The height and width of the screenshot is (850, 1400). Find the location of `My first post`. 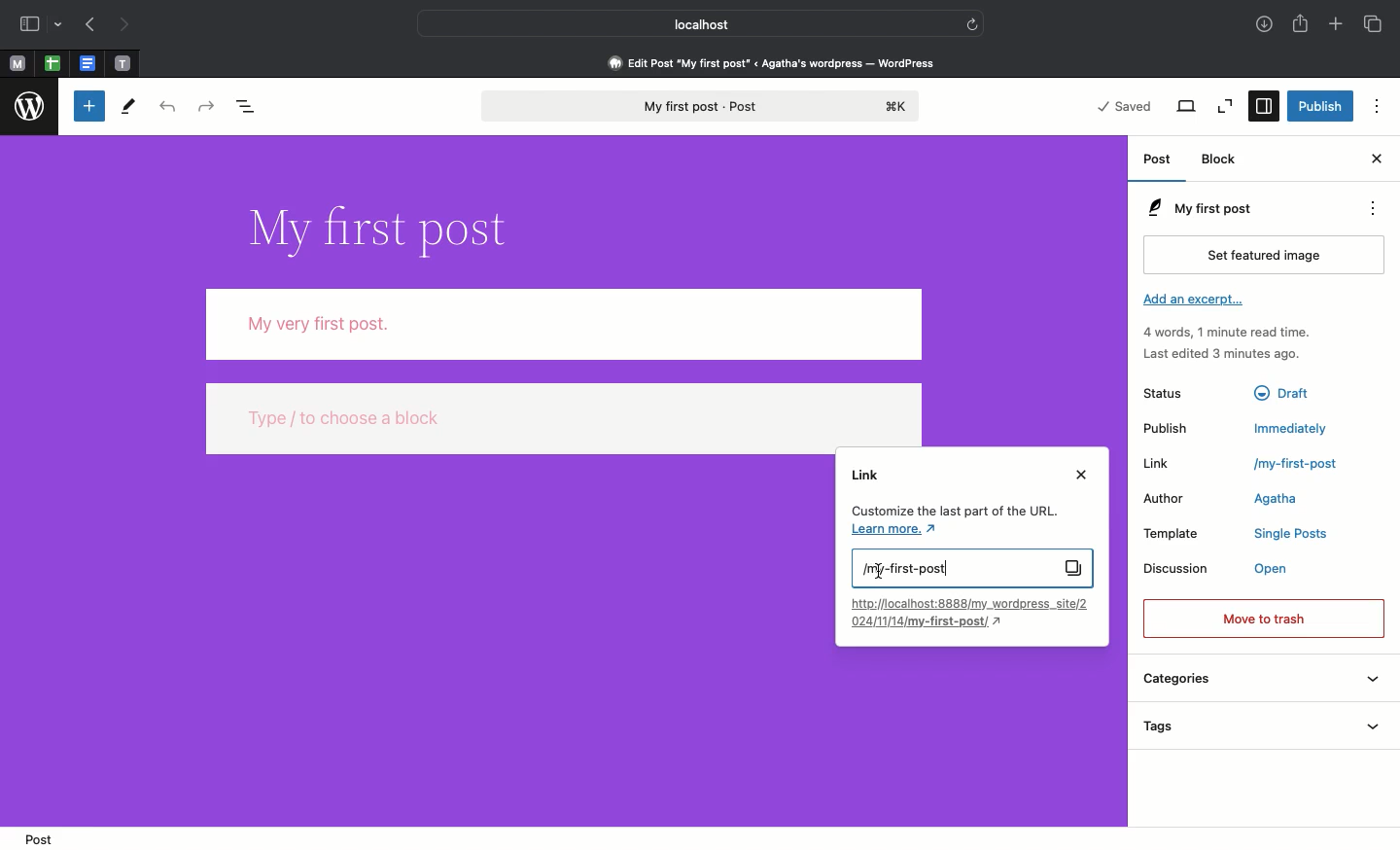

My first post is located at coordinates (704, 107).